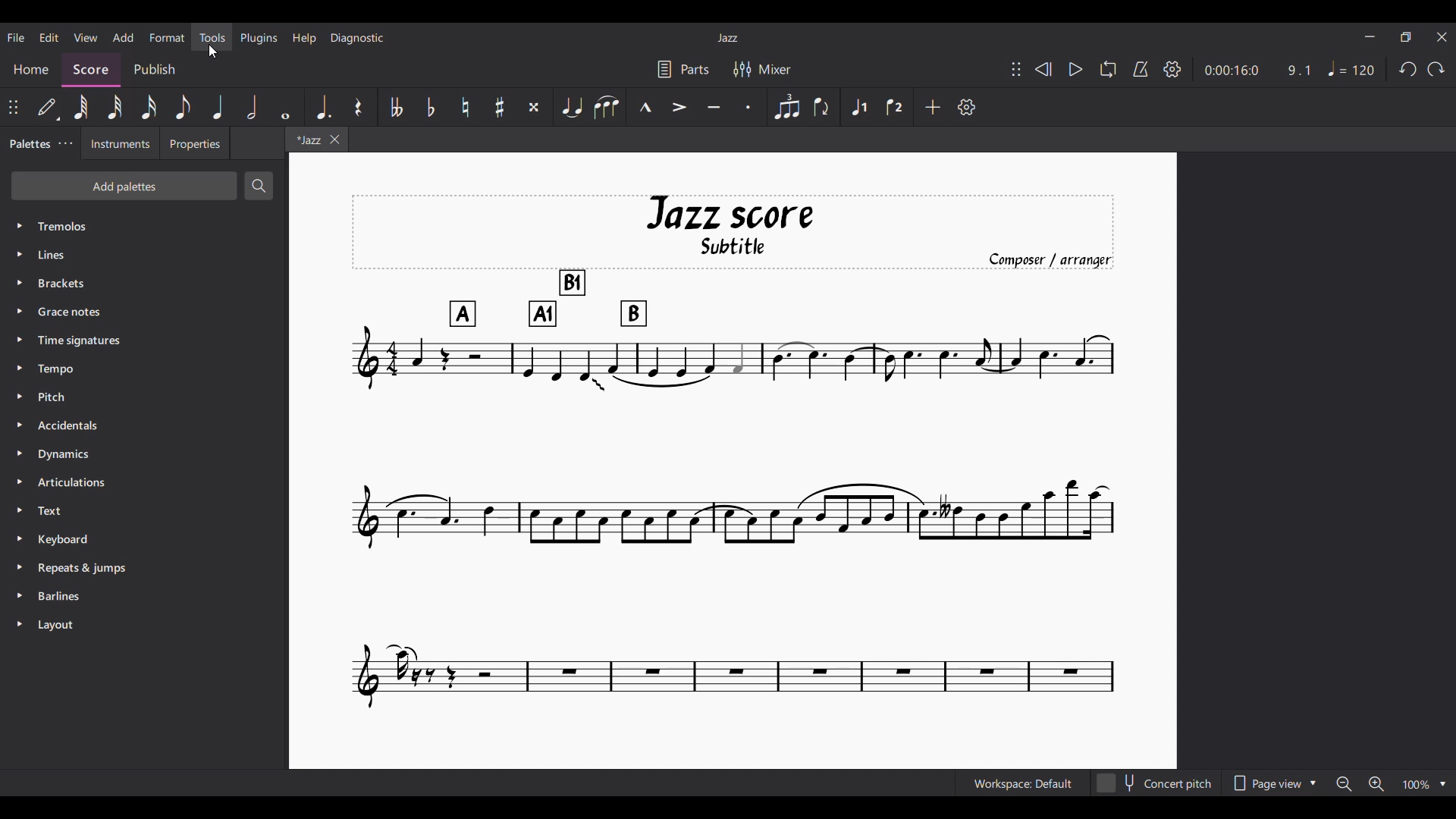 The width and height of the screenshot is (1456, 819). I want to click on Page view otpions, so click(1273, 783).